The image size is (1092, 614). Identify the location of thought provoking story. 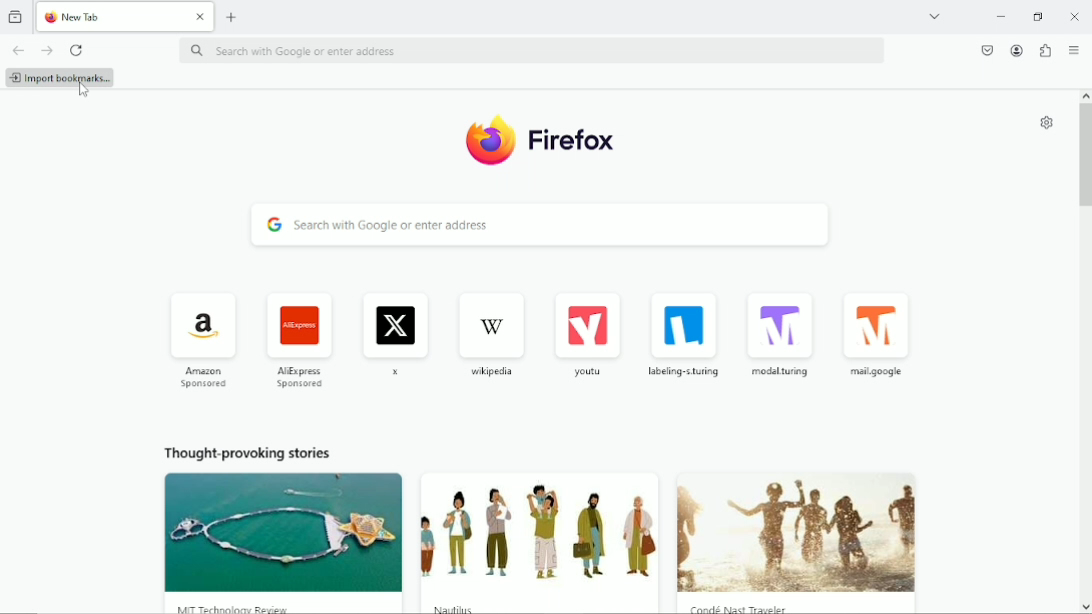
(268, 543).